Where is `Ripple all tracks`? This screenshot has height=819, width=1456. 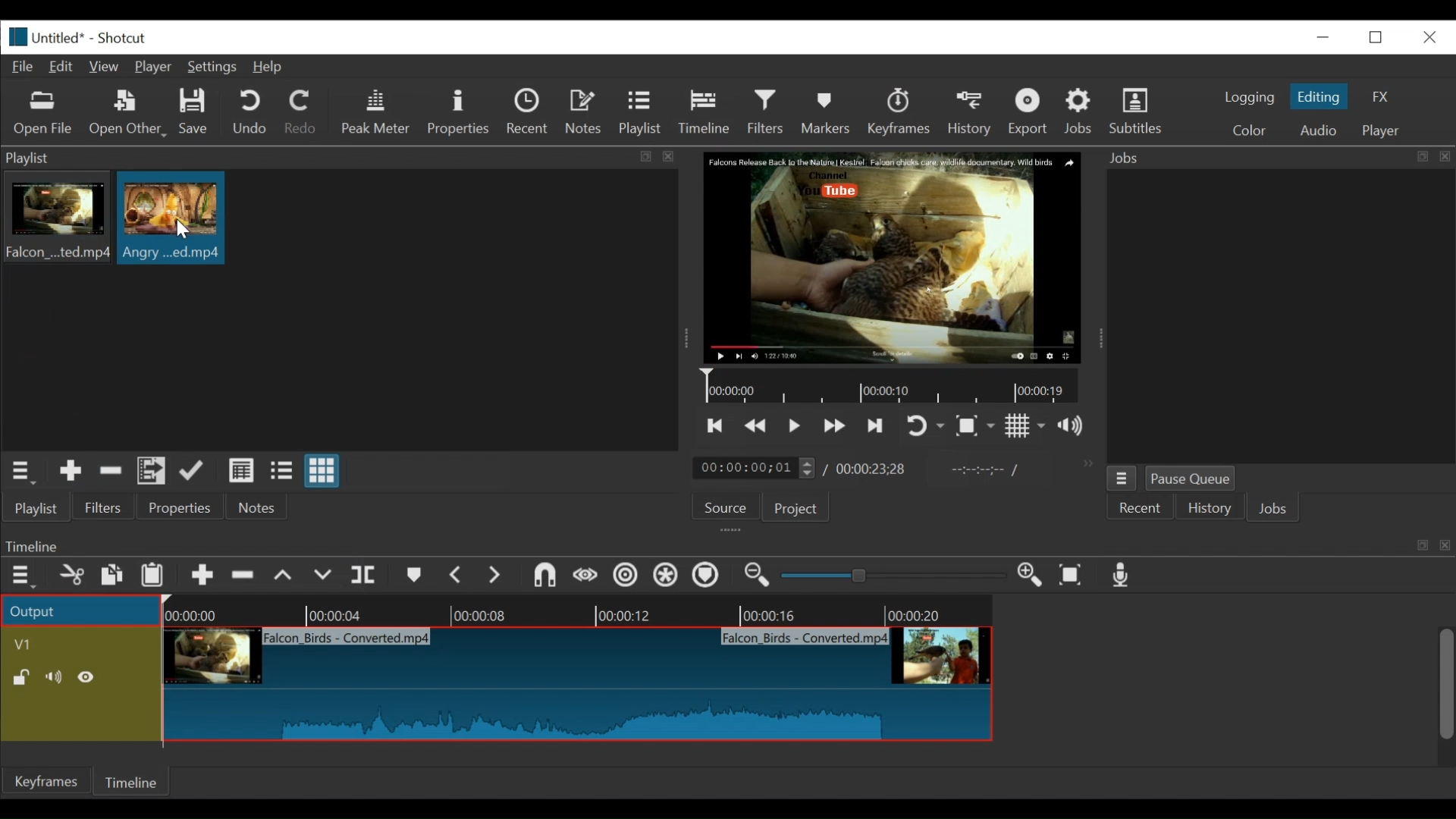 Ripple all tracks is located at coordinates (665, 577).